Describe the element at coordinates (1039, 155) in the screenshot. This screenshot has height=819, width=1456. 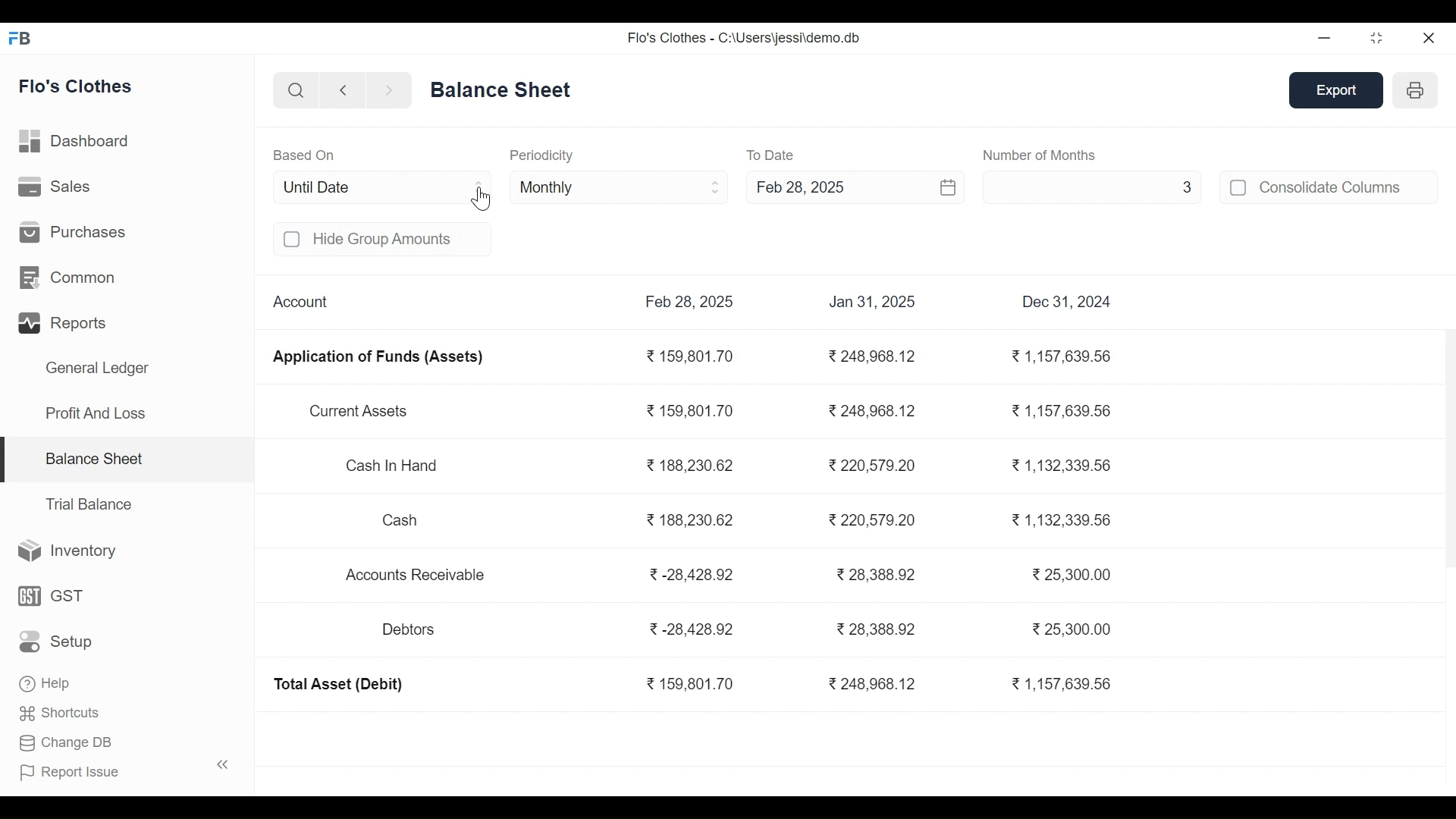
I see `Number of Months` at that location.